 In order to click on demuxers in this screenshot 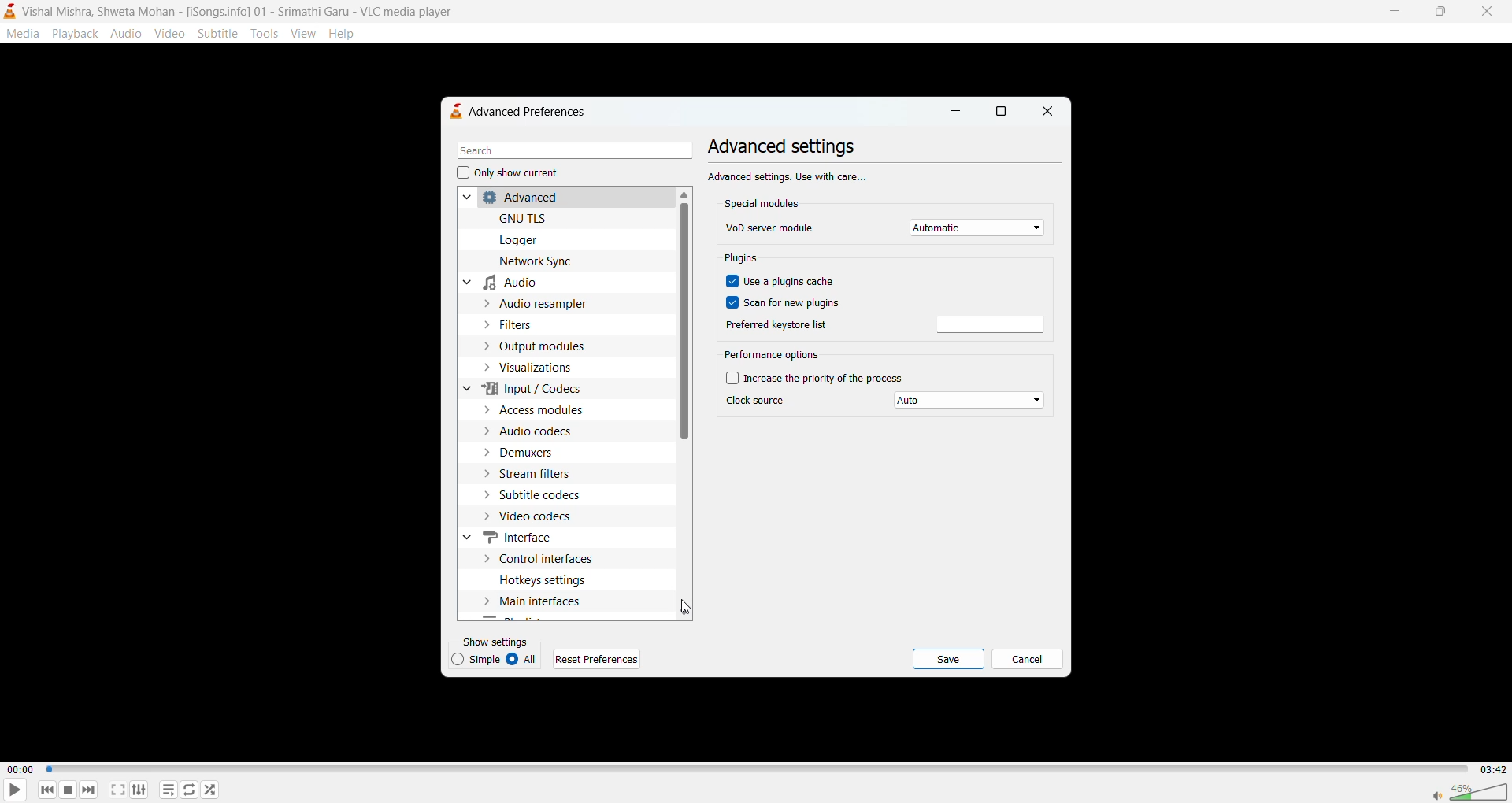, I will do `click(528, 453)`.